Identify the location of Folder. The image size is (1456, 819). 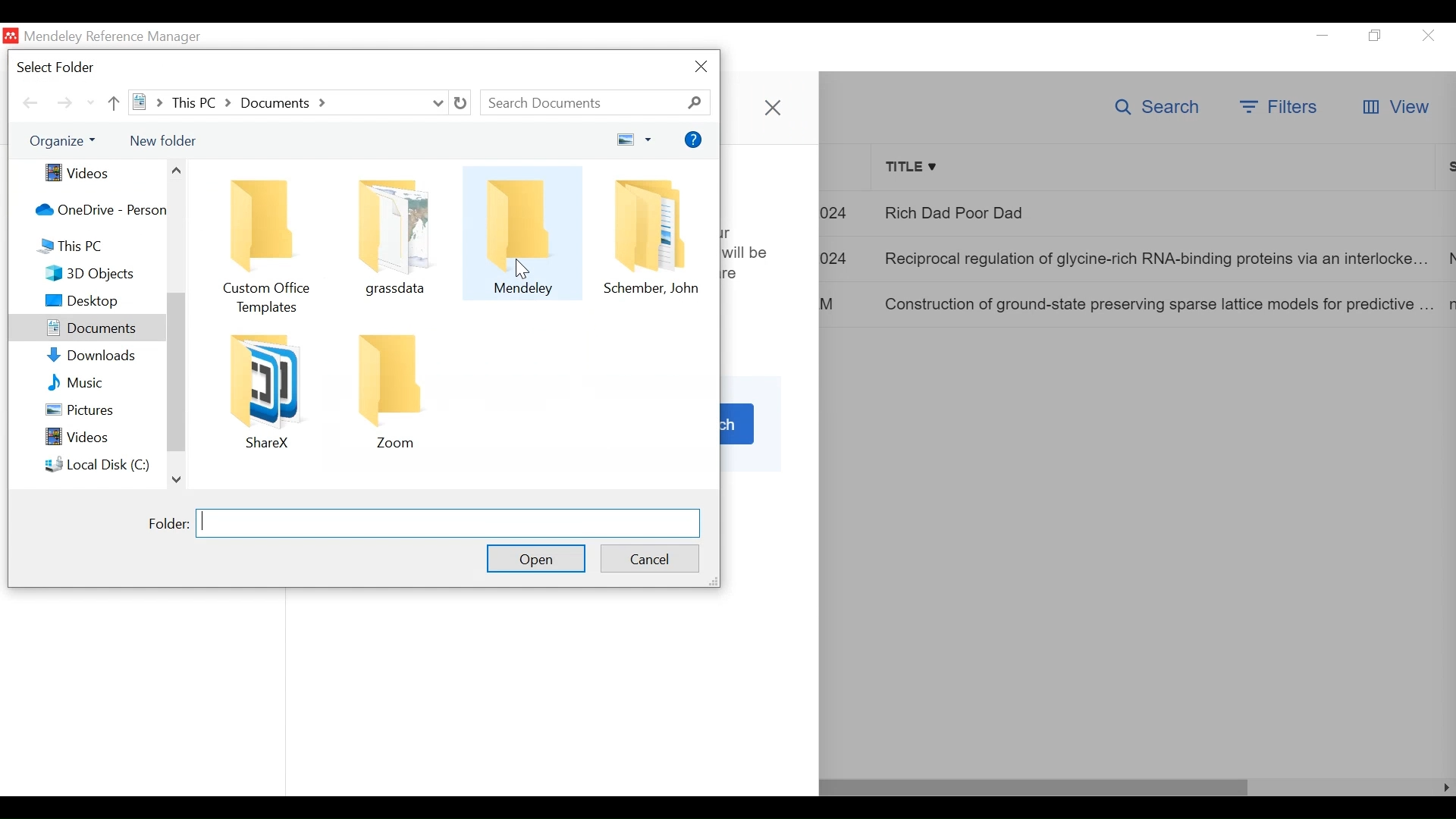
(651, 234).